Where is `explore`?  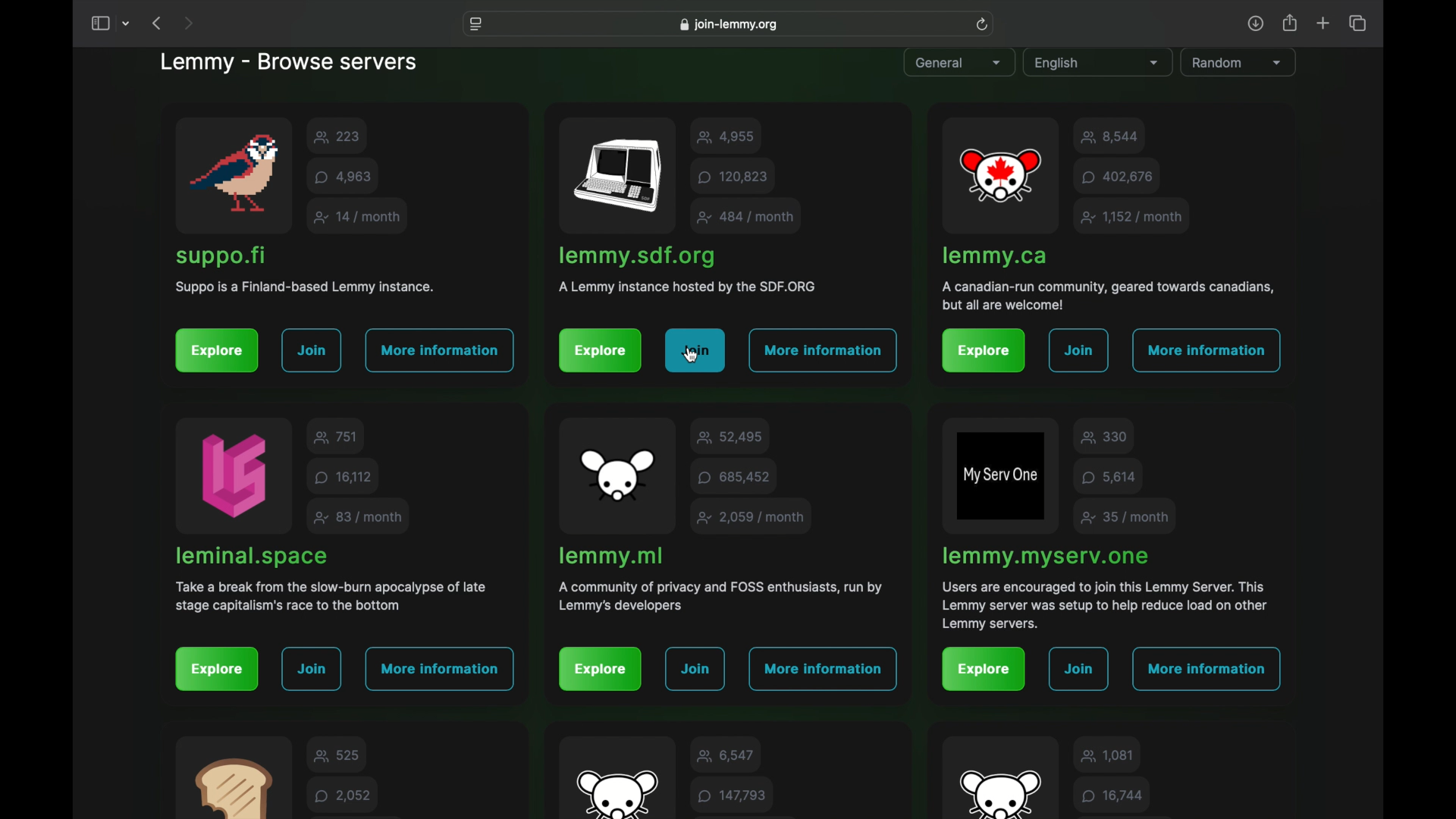
explore is located at coordinates (218, 351).